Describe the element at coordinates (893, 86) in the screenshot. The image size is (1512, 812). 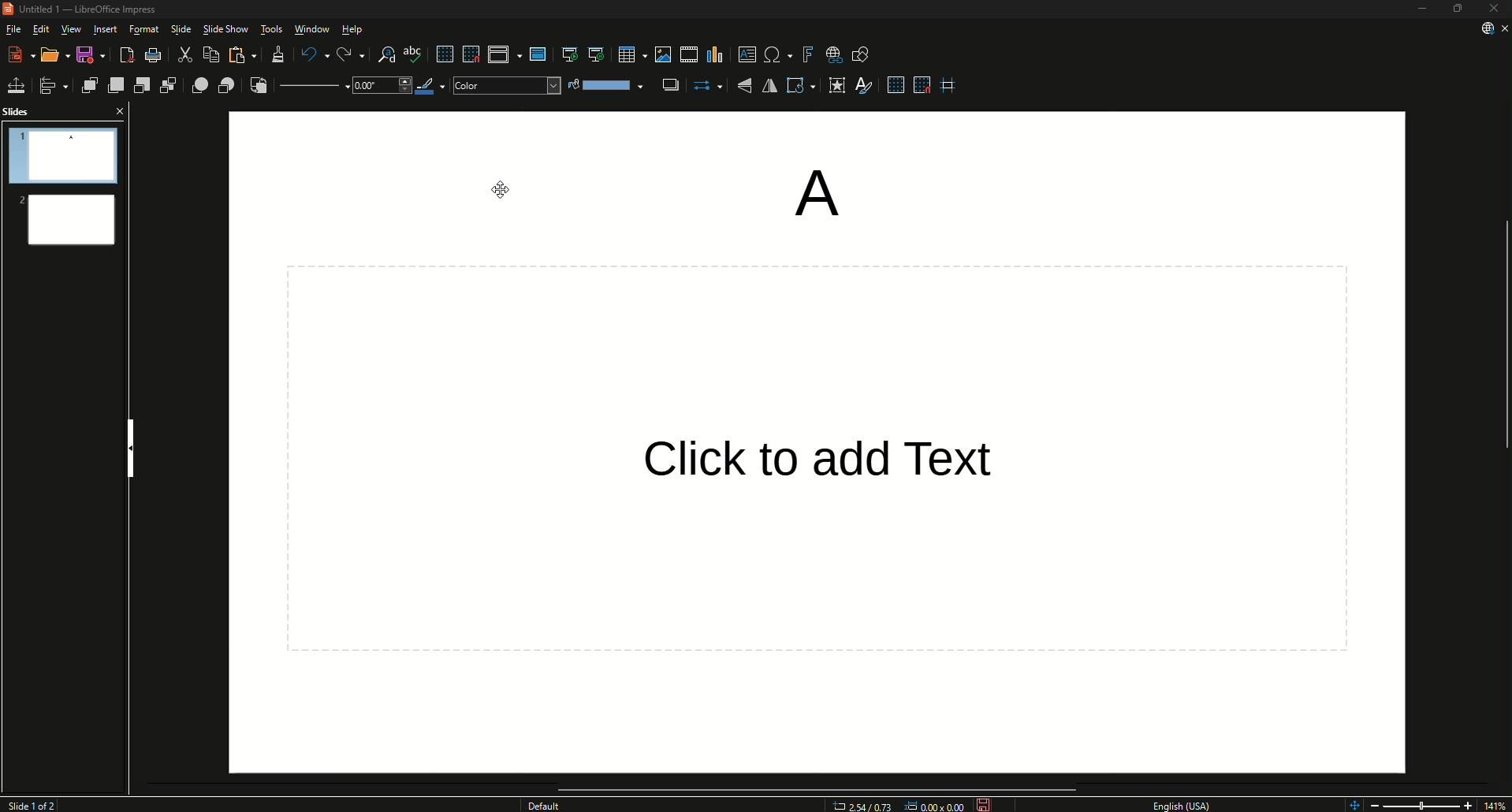
I see `Display Grid` at that location.